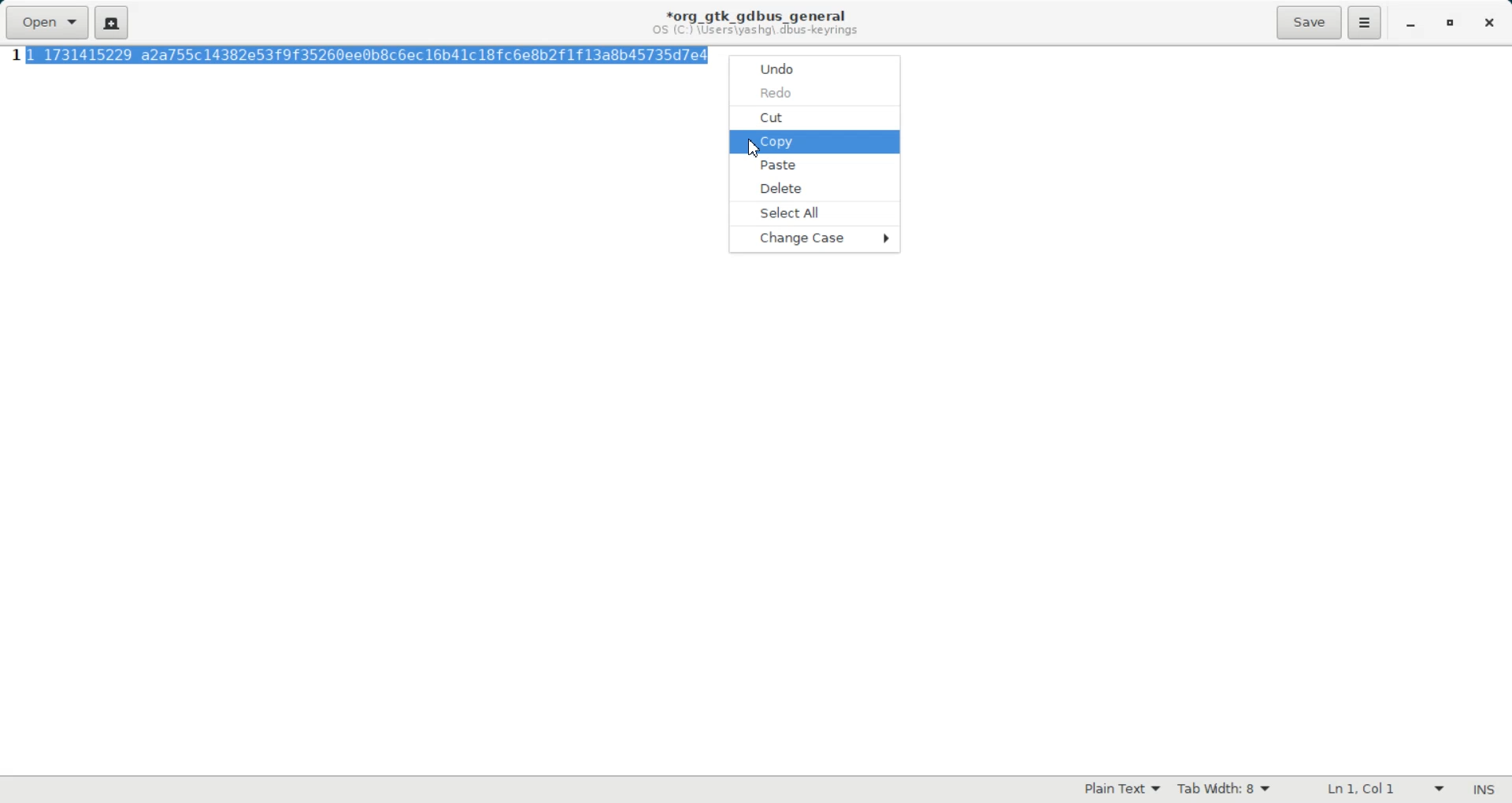 The width and height of the screenshot is (1512, 803). I want to click on highlighted Text, so click(365, 56).